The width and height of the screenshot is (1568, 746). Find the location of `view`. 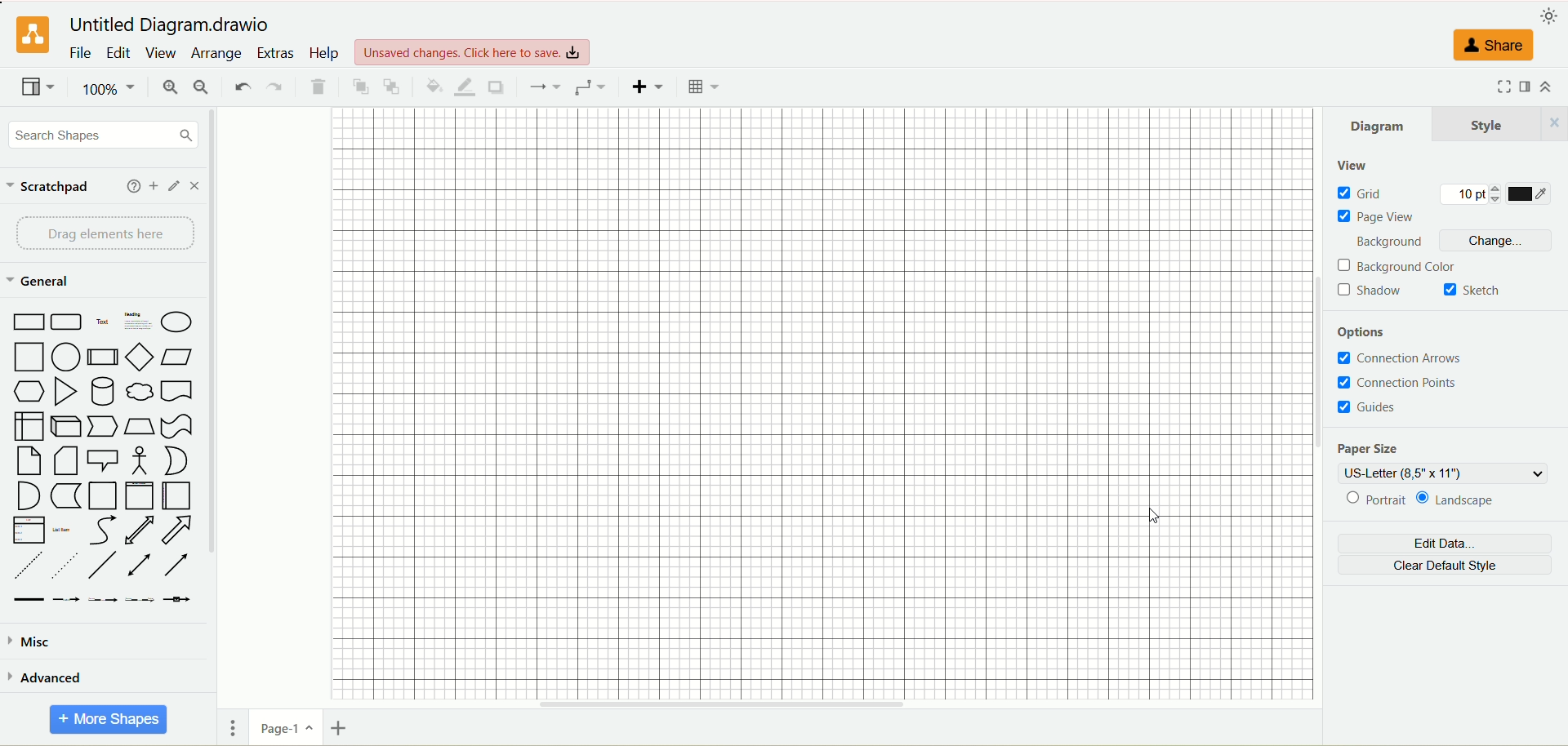

view is located at coordinates (1354, 168).